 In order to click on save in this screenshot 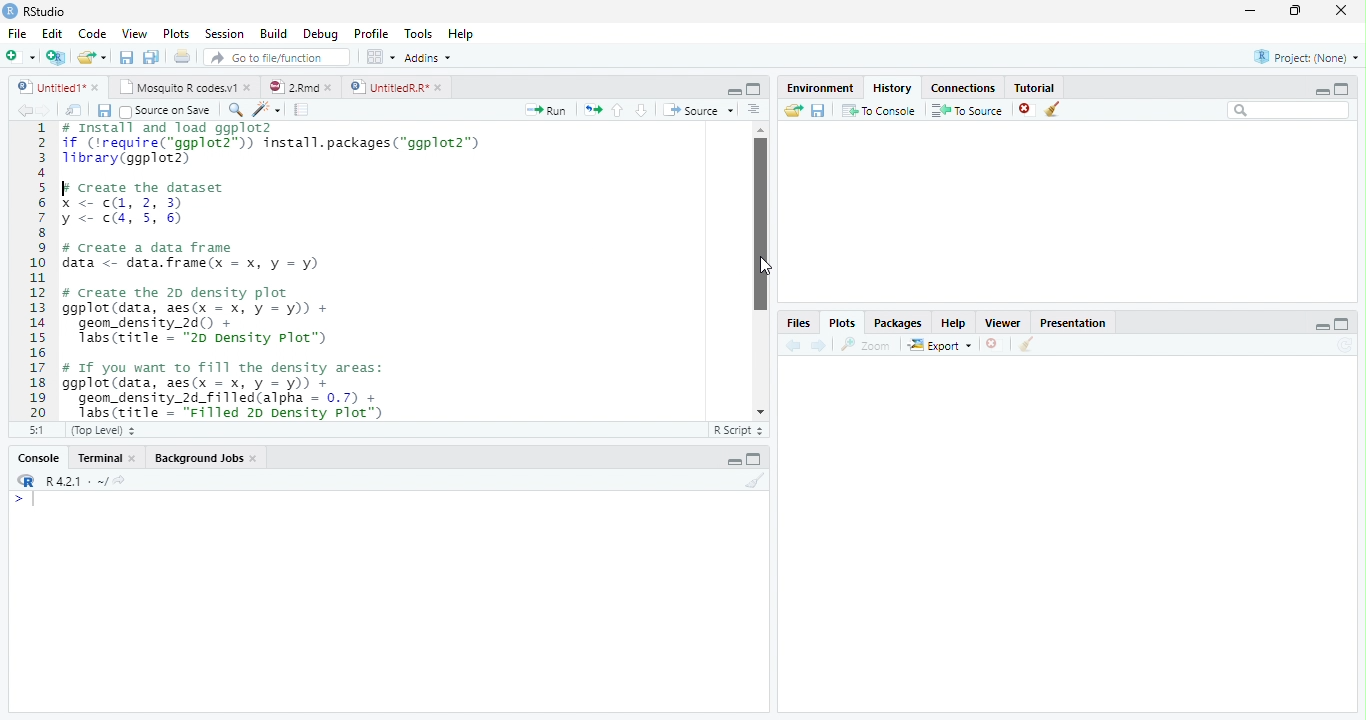, I will do `click(104, 111)`.